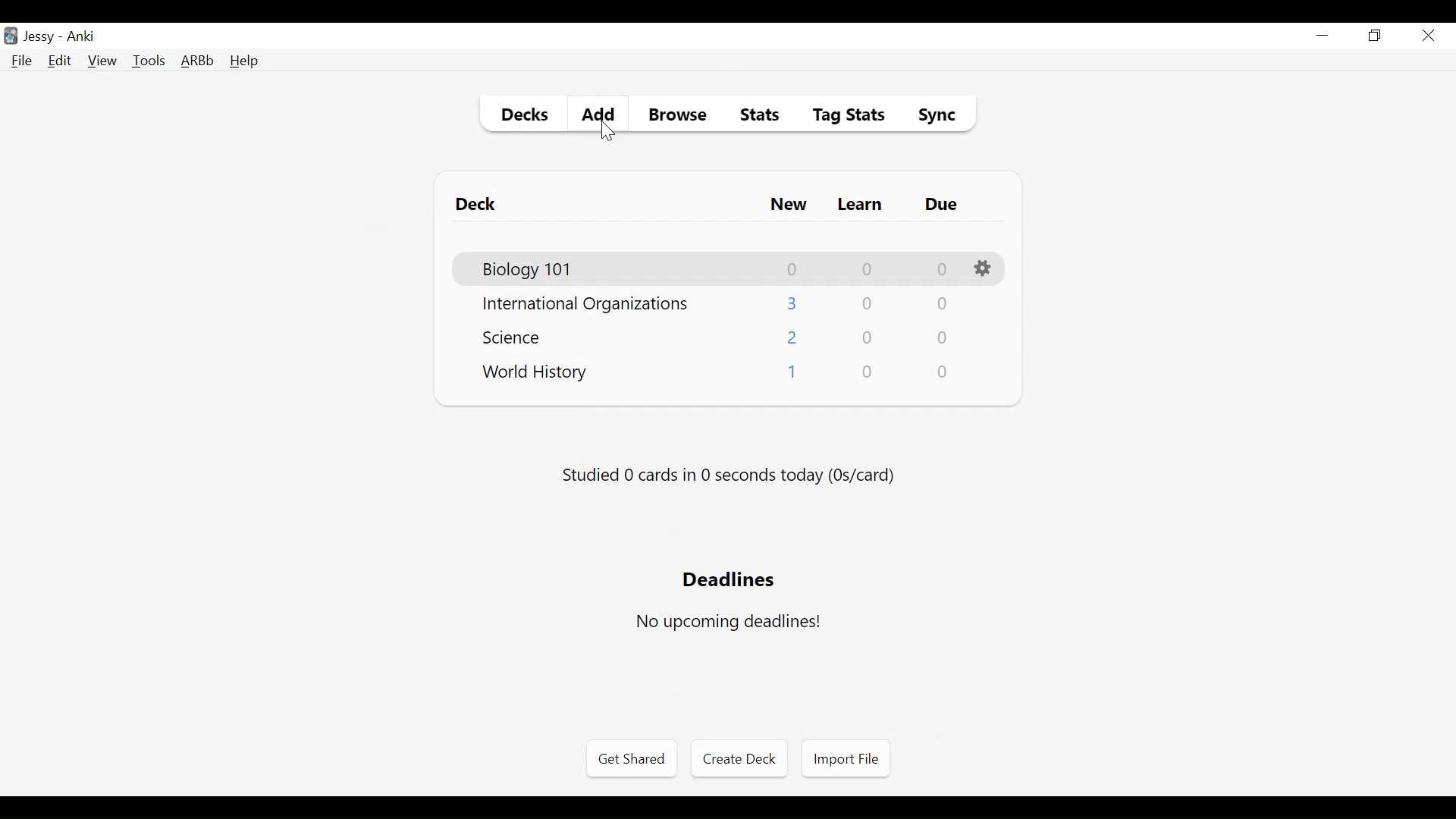 The width and height of the screenshot is (1456, 819). I want to click on Create Deck, so click(736, 758).